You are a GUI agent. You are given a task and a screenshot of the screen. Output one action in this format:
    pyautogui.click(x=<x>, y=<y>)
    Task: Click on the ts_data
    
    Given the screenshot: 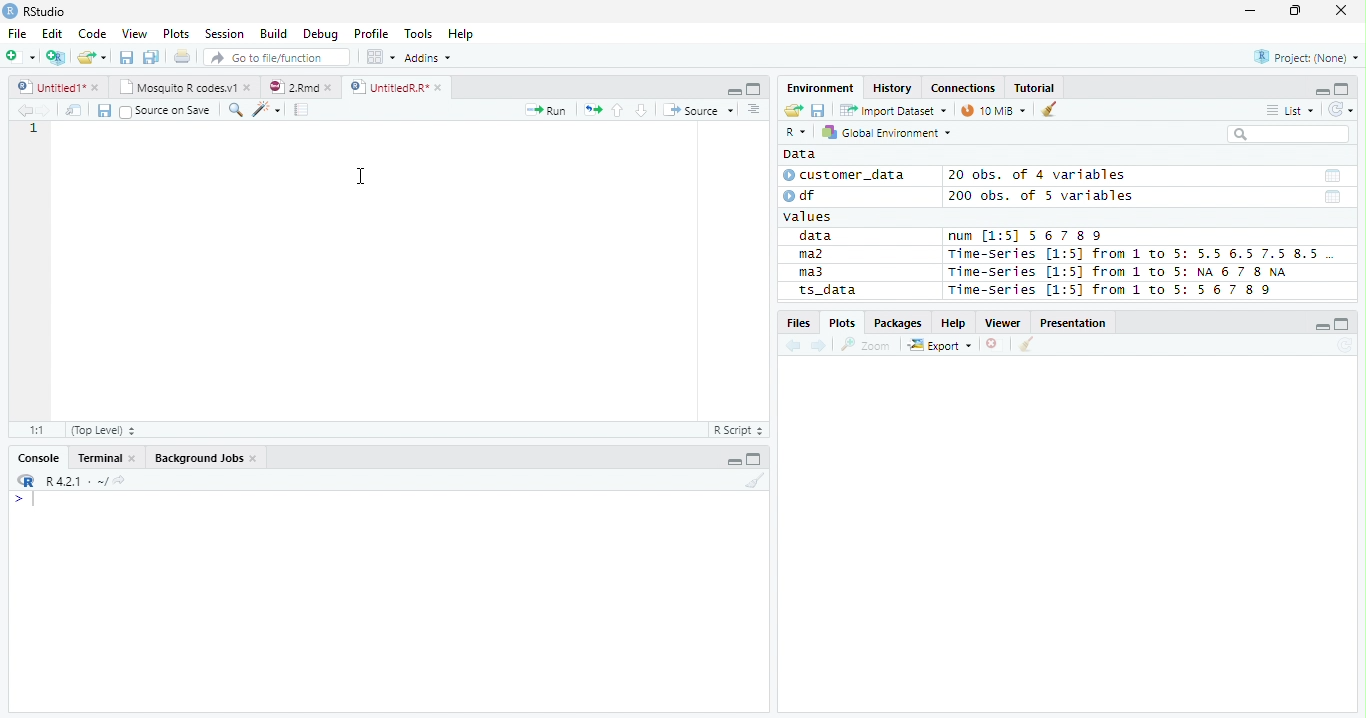 What is the action you would take?
    pyautogui.click(x=855, y=293)
    